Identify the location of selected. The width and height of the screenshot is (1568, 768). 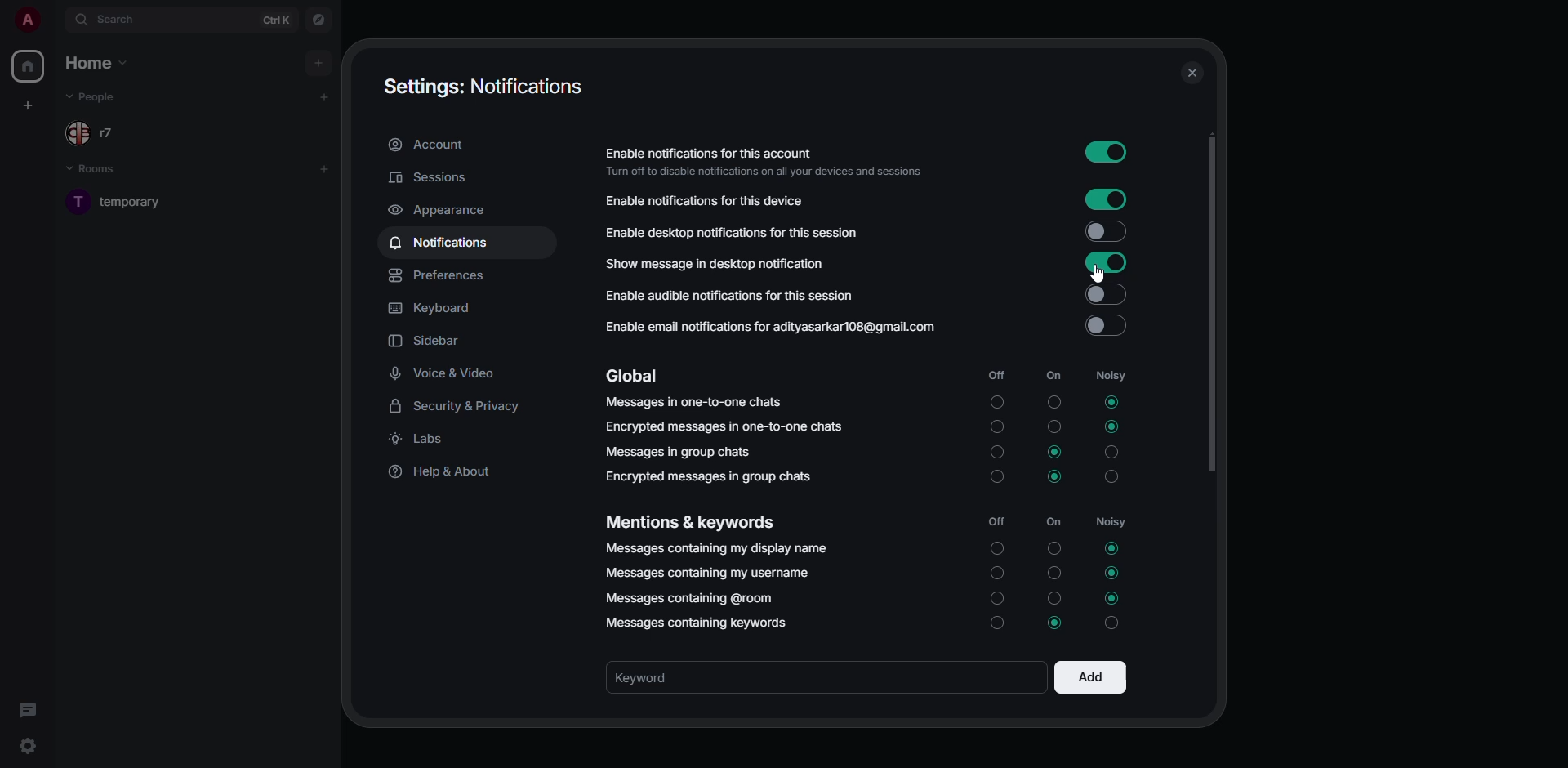
(1111, 597).